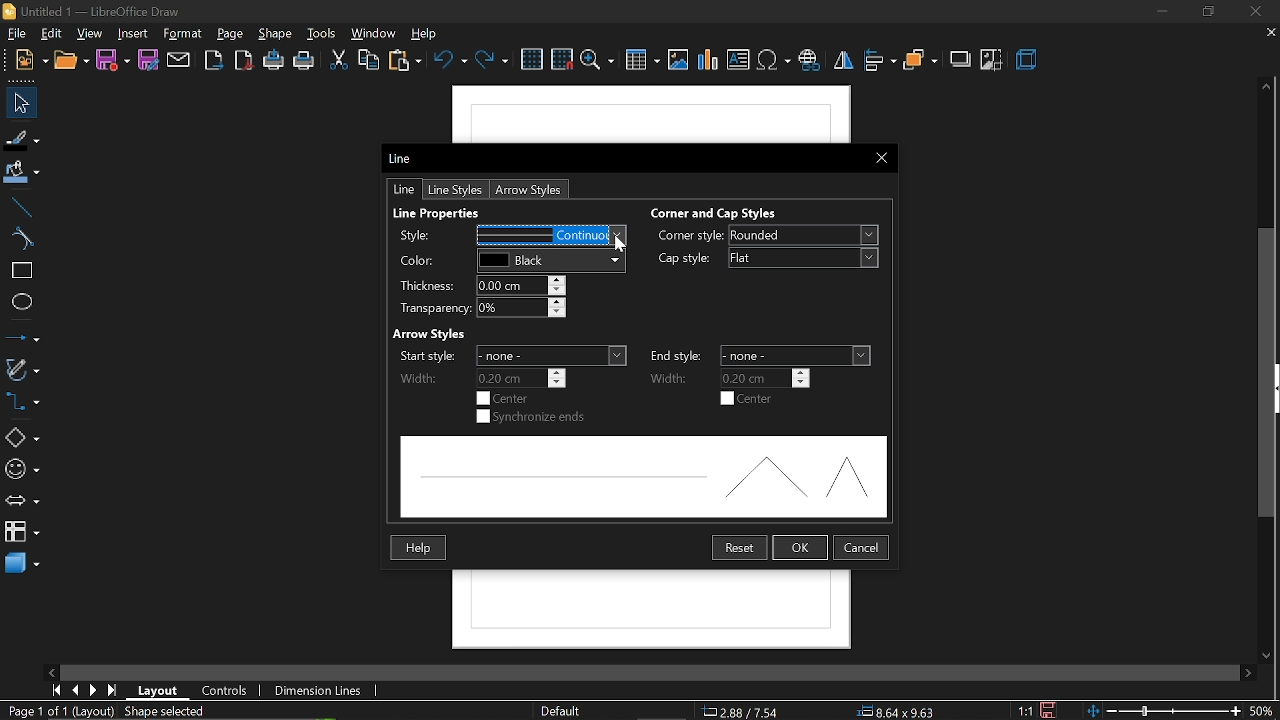 The width and height of the screenshot is (1280, 720). What do you see at coordinates (1265, 86) in the screenshot?
I see `move up` at bounding box center [1265, 86].